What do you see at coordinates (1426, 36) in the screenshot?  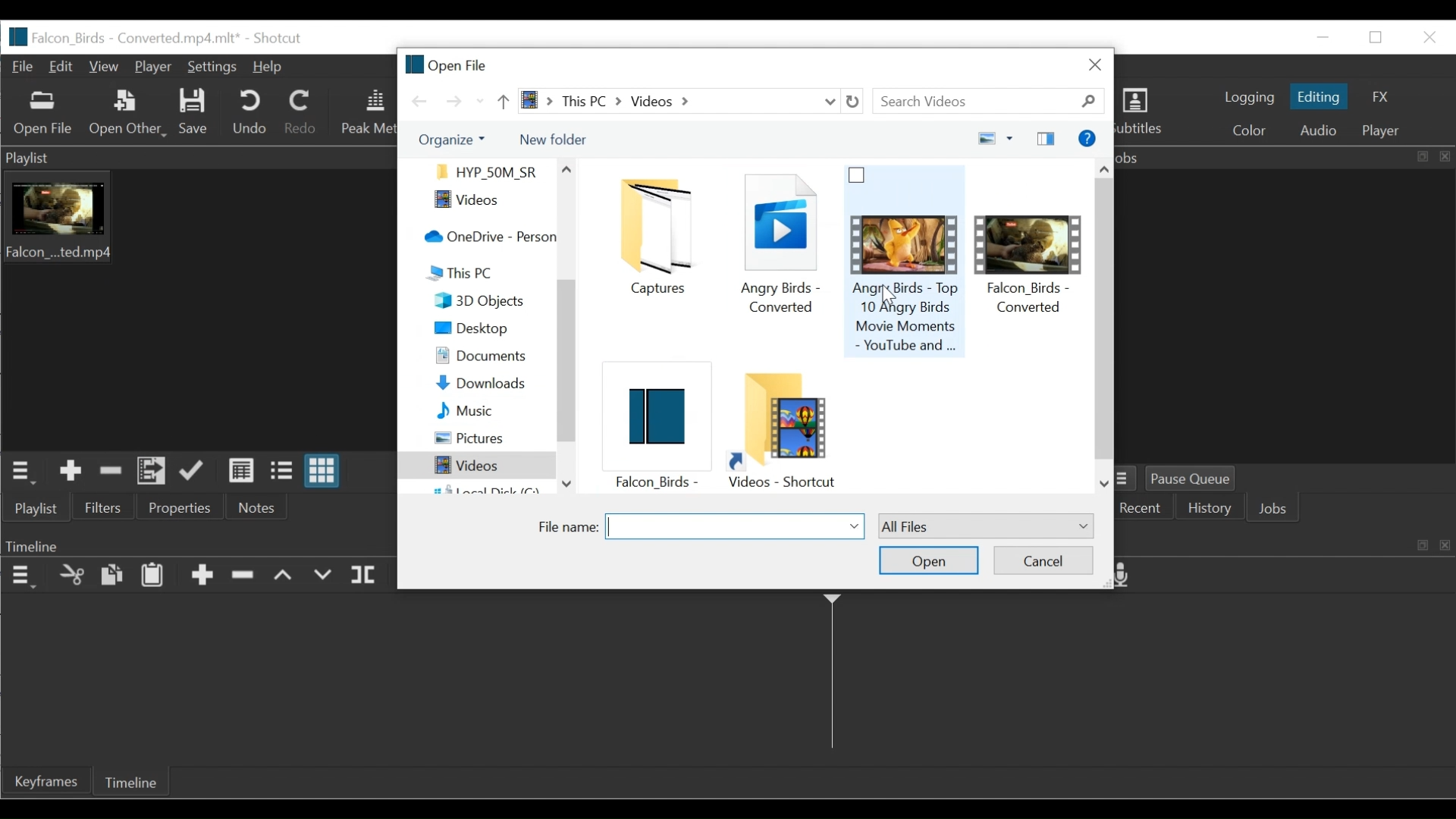 I see `Close` at bounding box center [1426, 36].